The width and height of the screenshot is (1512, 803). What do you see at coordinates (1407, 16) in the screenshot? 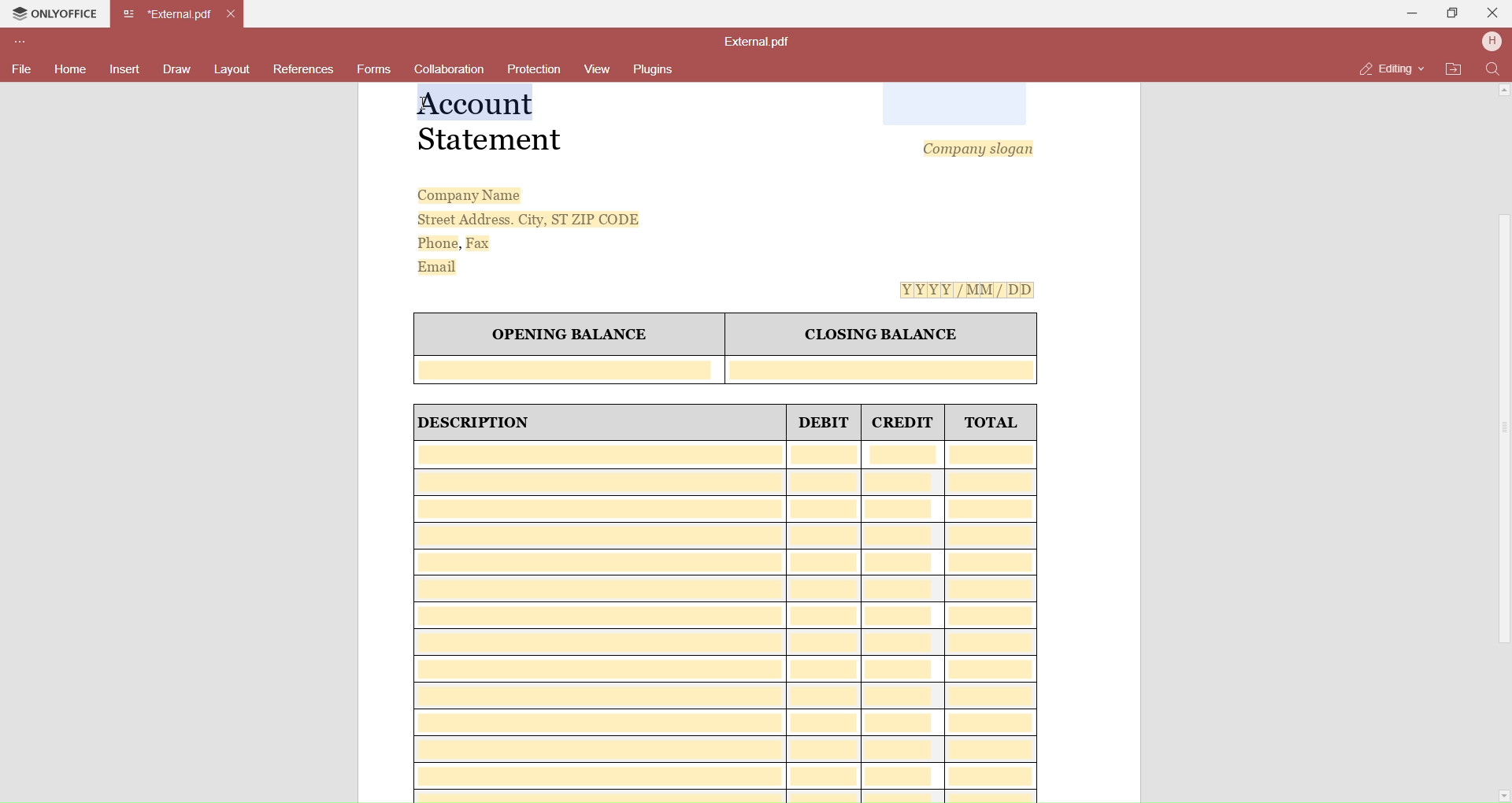
I see `Minimize` at bounding box center [1407, 16].